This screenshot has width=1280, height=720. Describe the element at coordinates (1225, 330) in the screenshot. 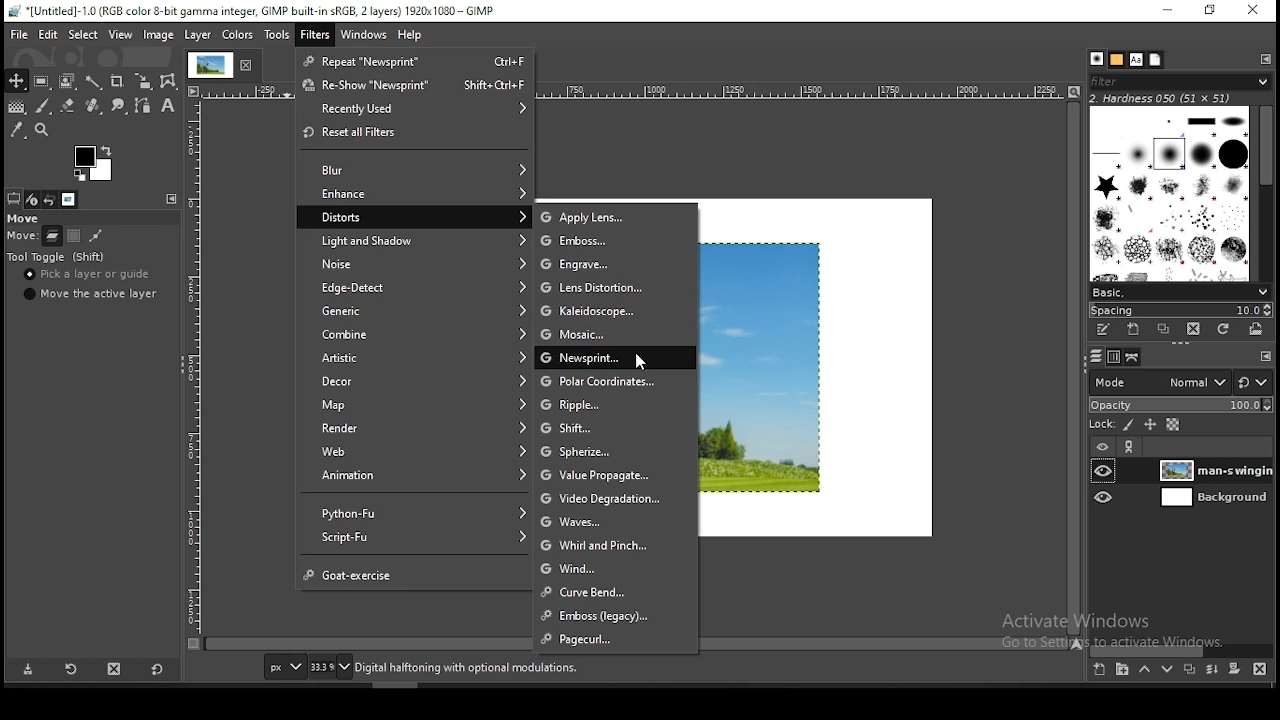

I see `refresh brushes` at that location.